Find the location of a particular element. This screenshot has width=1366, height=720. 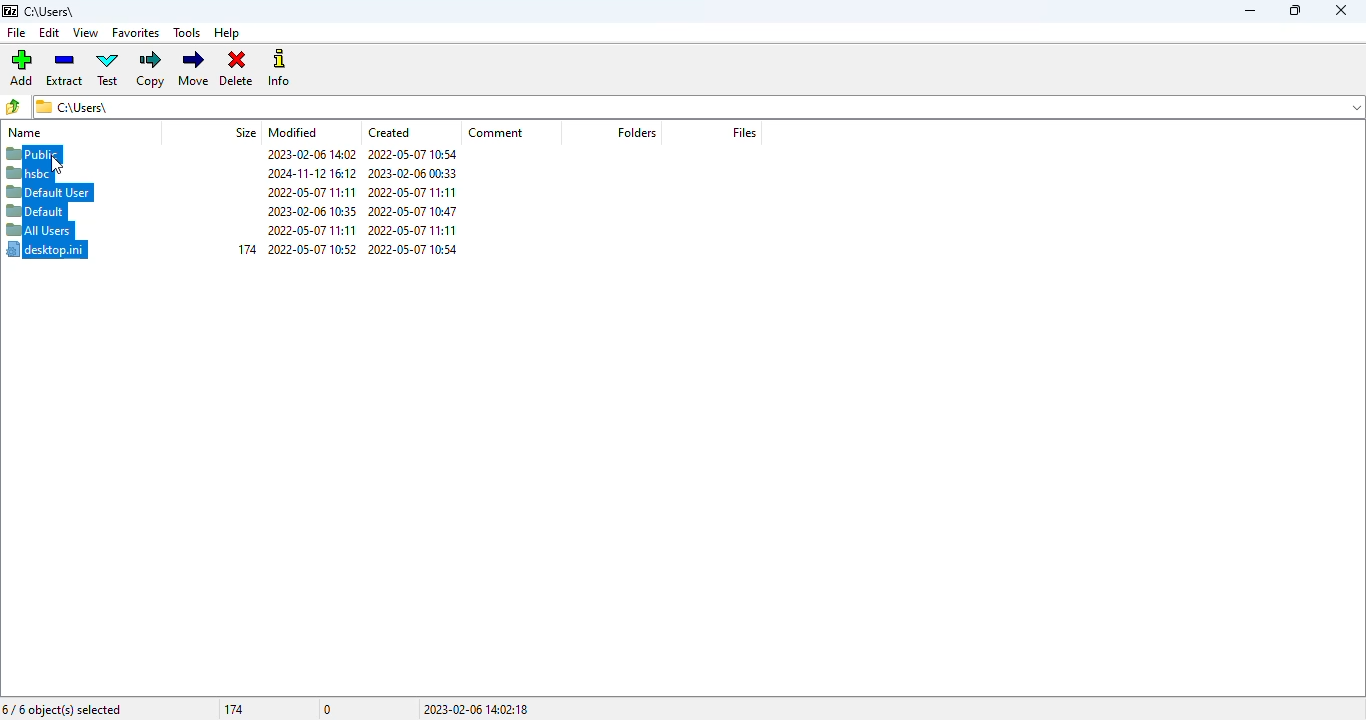

 2022-05-07 11:11 is located at coordinates (420, 230).